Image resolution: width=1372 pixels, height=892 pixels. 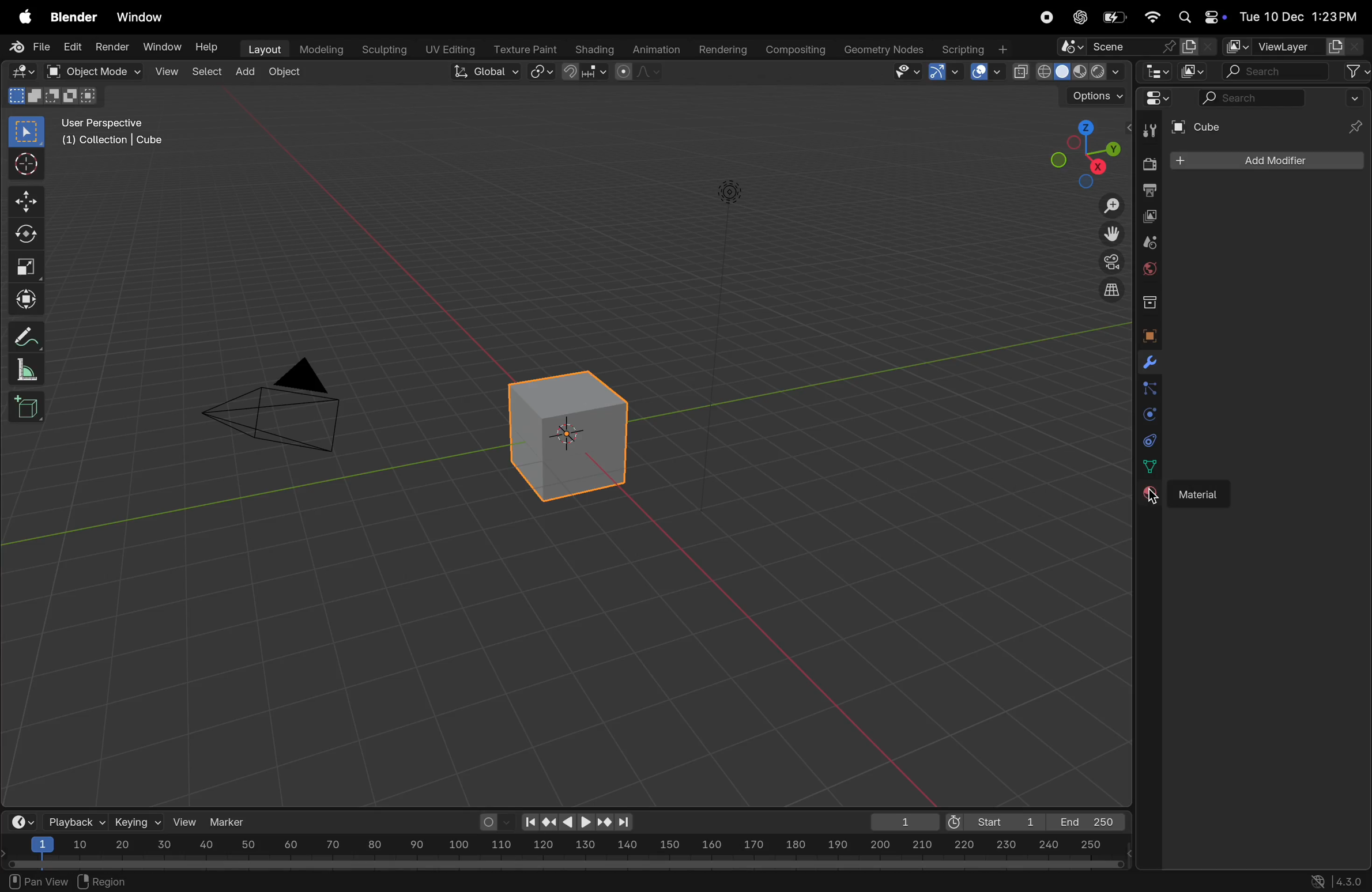 I want to click on visibility, so click(x=905, y=73).